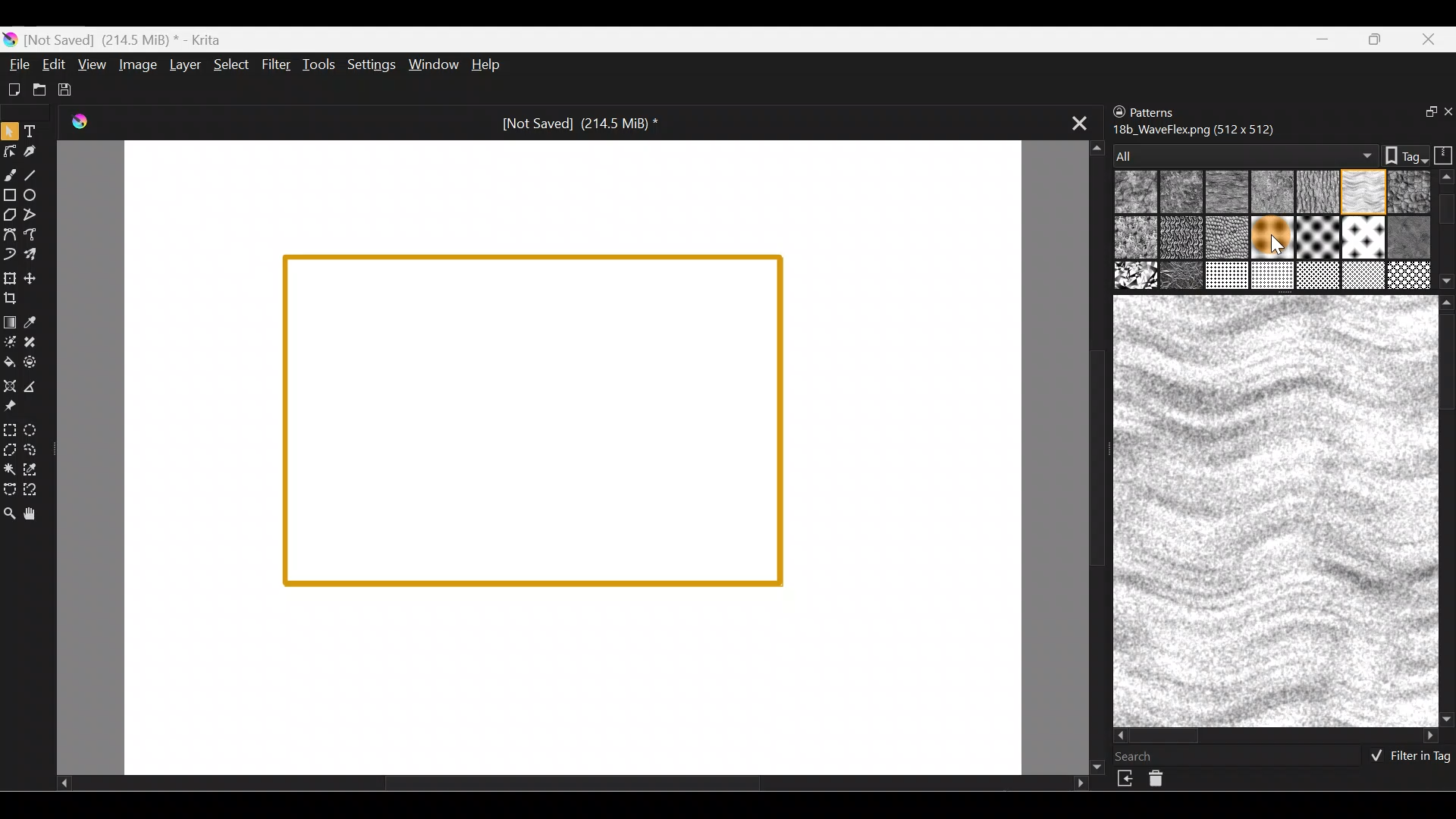  I want to click on Save, so click(67, 87).